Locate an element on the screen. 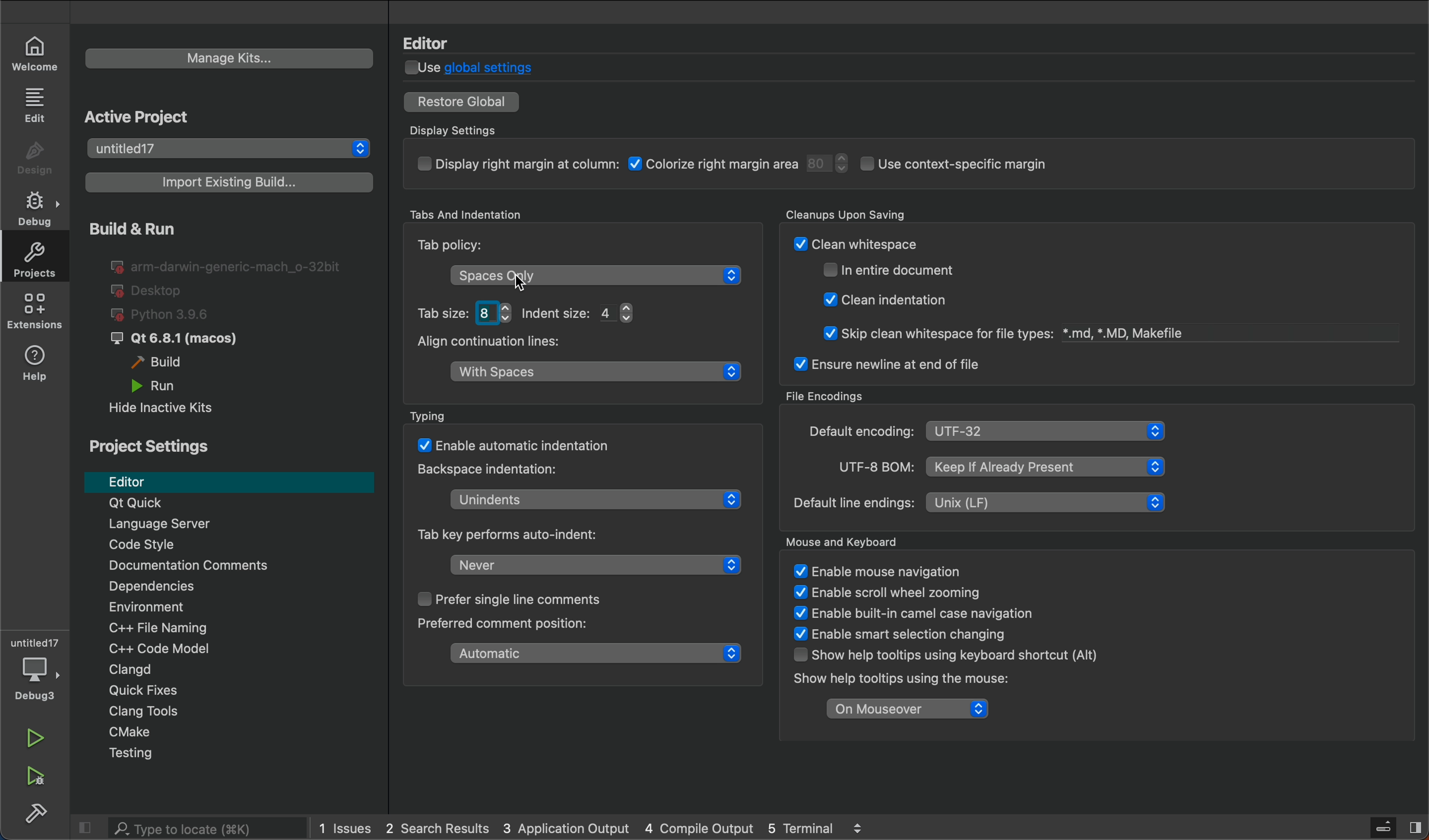  qt6.8.1 macos is located at coordinates (173, 338).